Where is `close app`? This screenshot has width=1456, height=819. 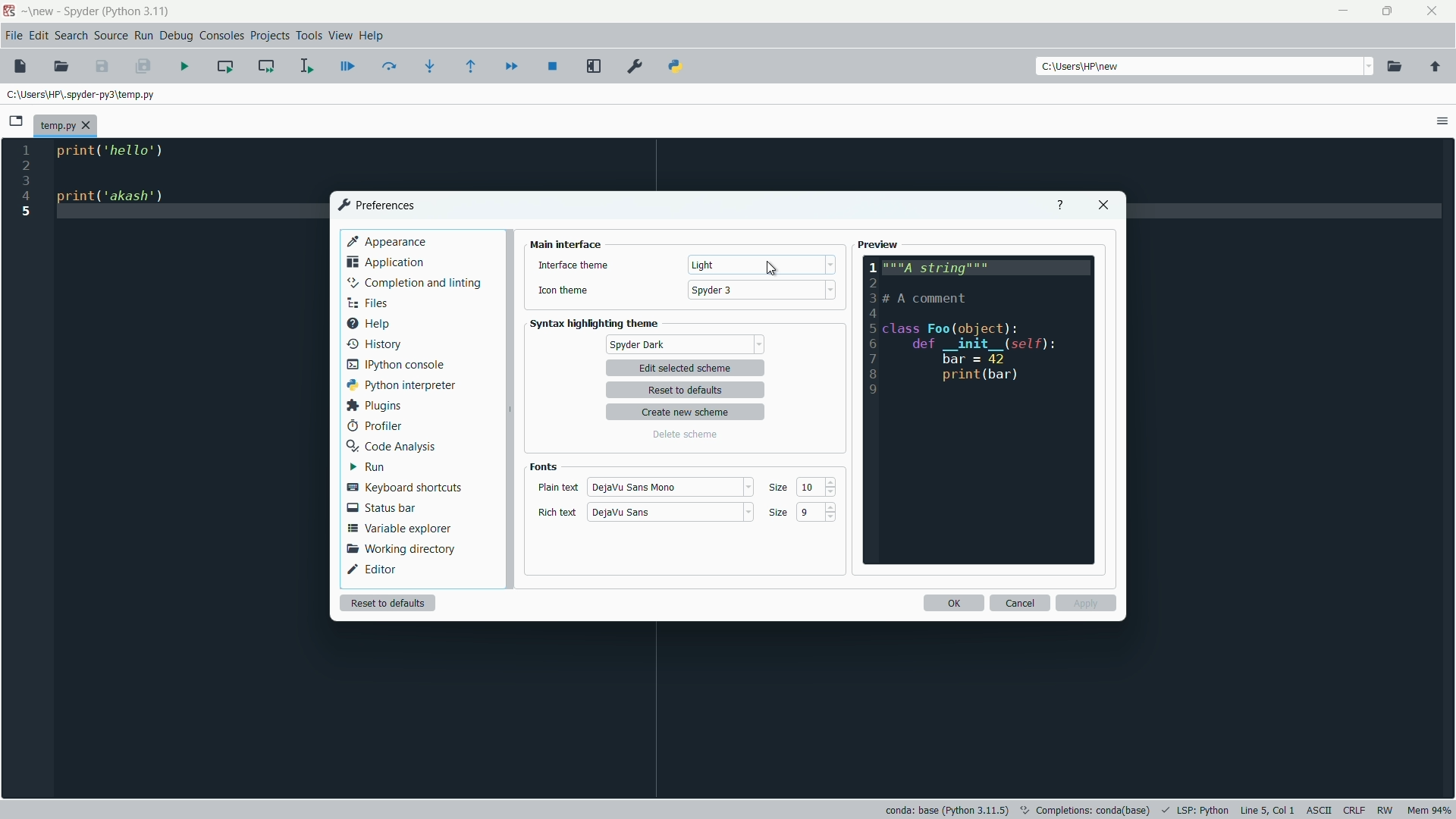
close app is located at coordinates (1434, 11).